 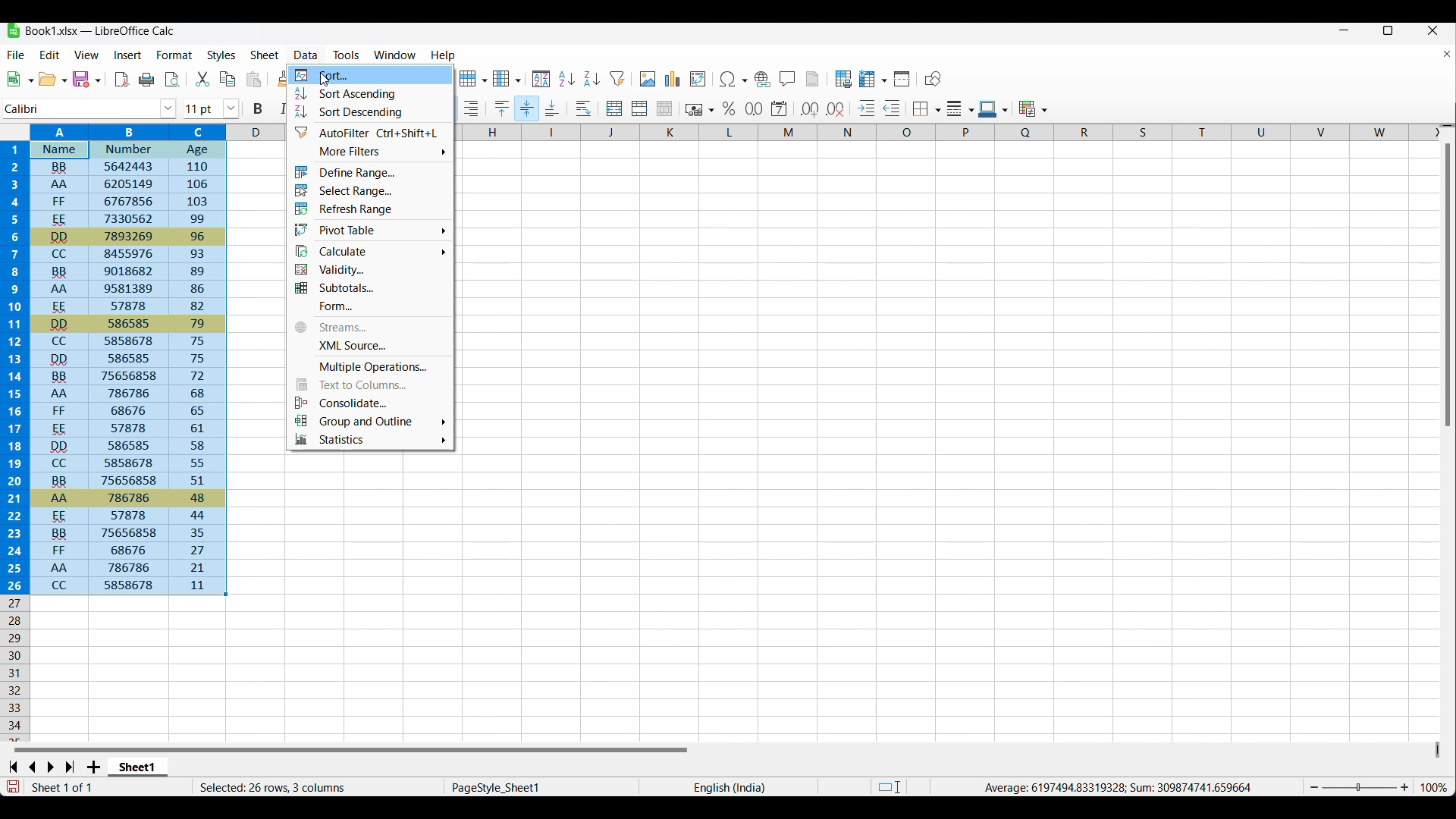 I want to click on Insert hyperlink, so click(x=763, y=80).